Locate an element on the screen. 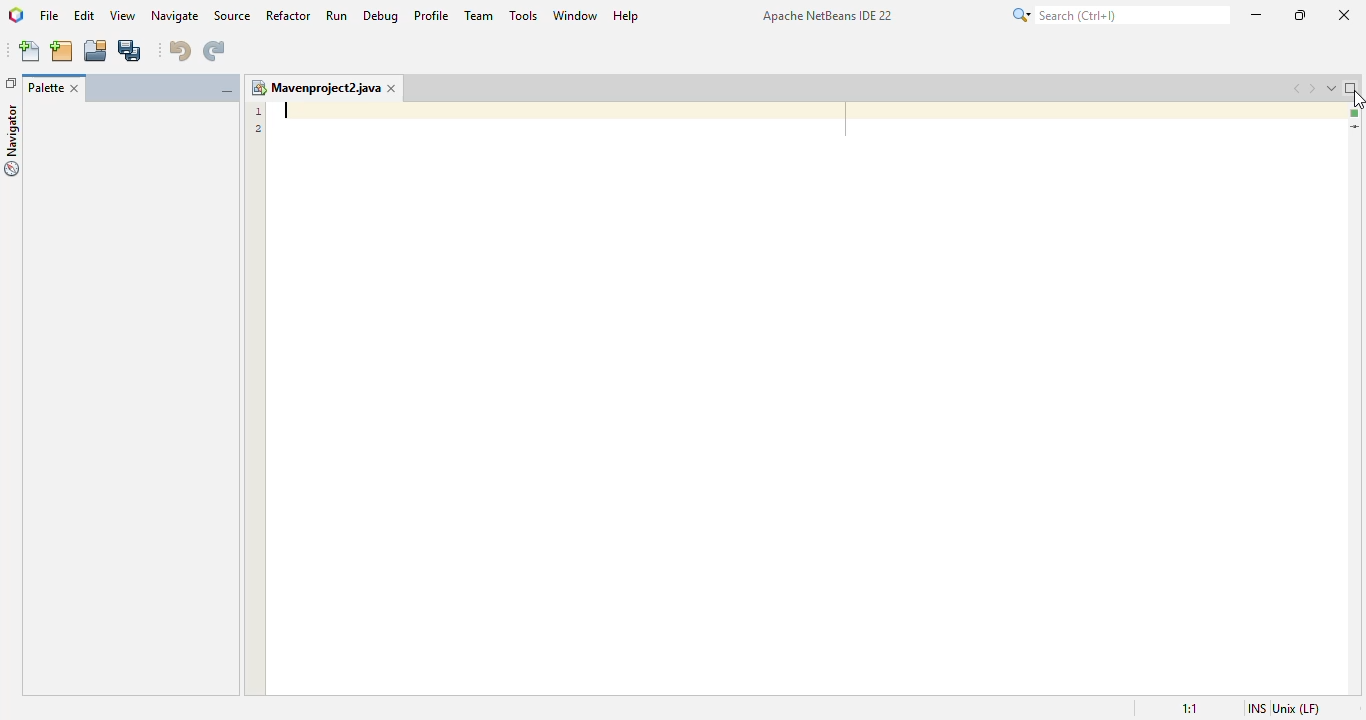 This screenshot has height=720, width=1366. close is located at coordinates (1346, 15).